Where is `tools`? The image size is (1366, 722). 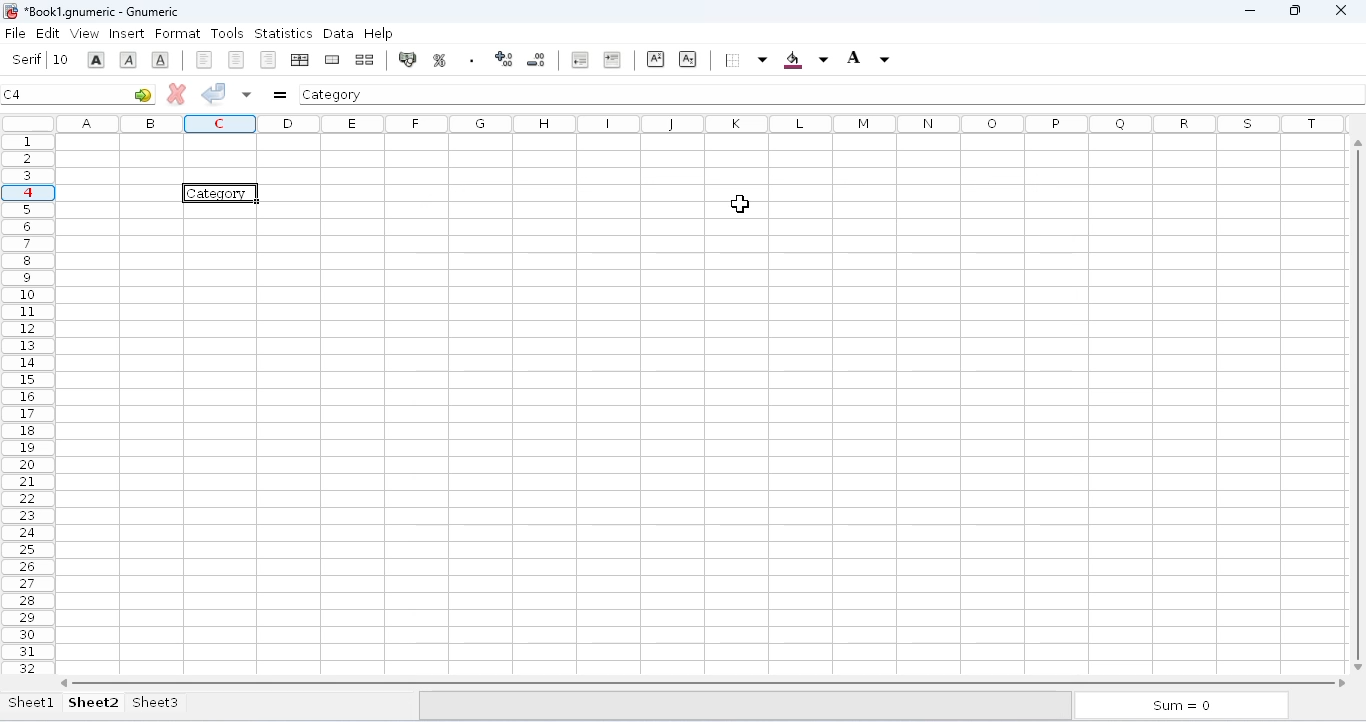 tools is located at coordinates (227, 33).